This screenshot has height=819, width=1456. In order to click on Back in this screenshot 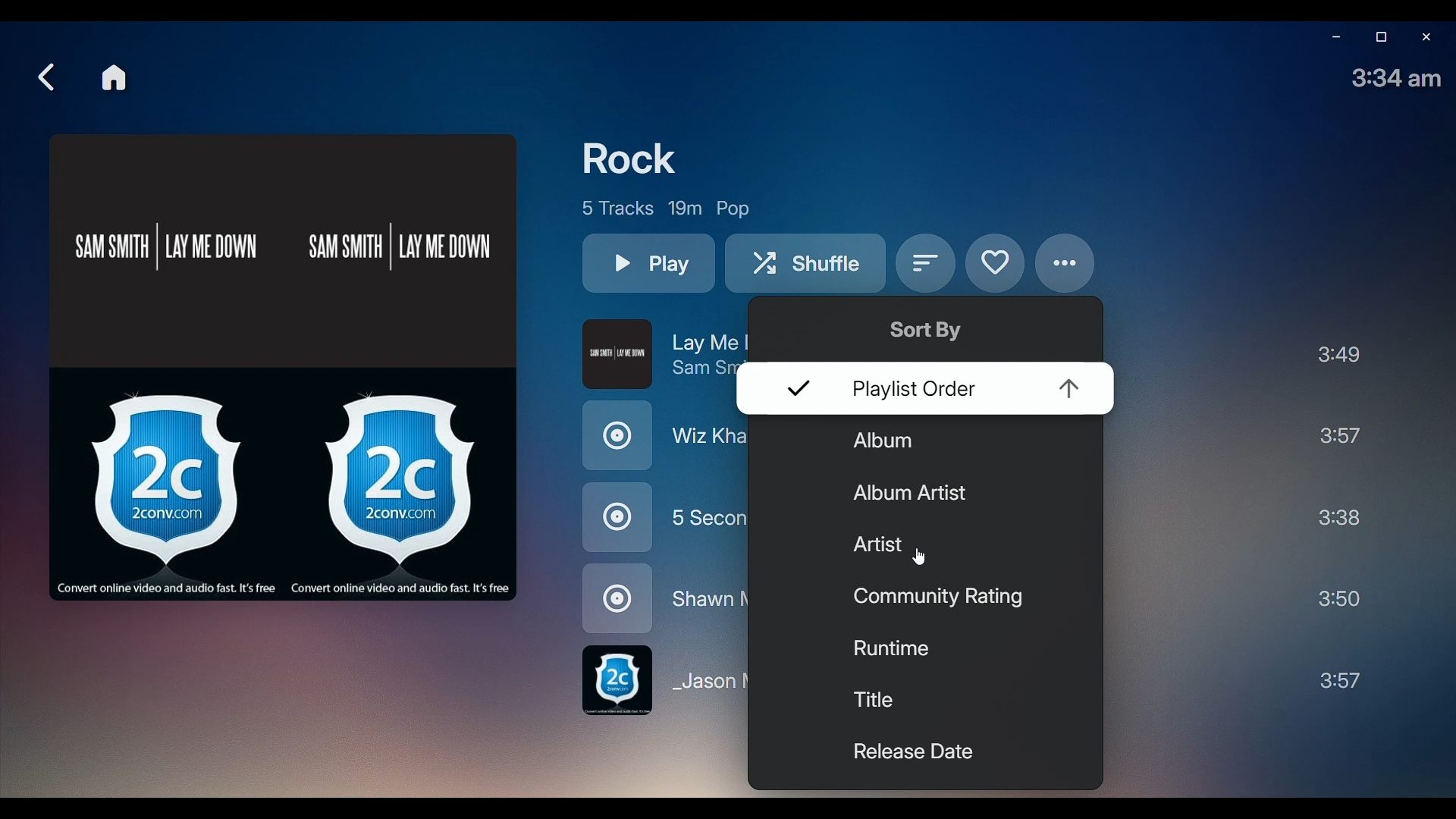, I will do `click(45, 77)`.